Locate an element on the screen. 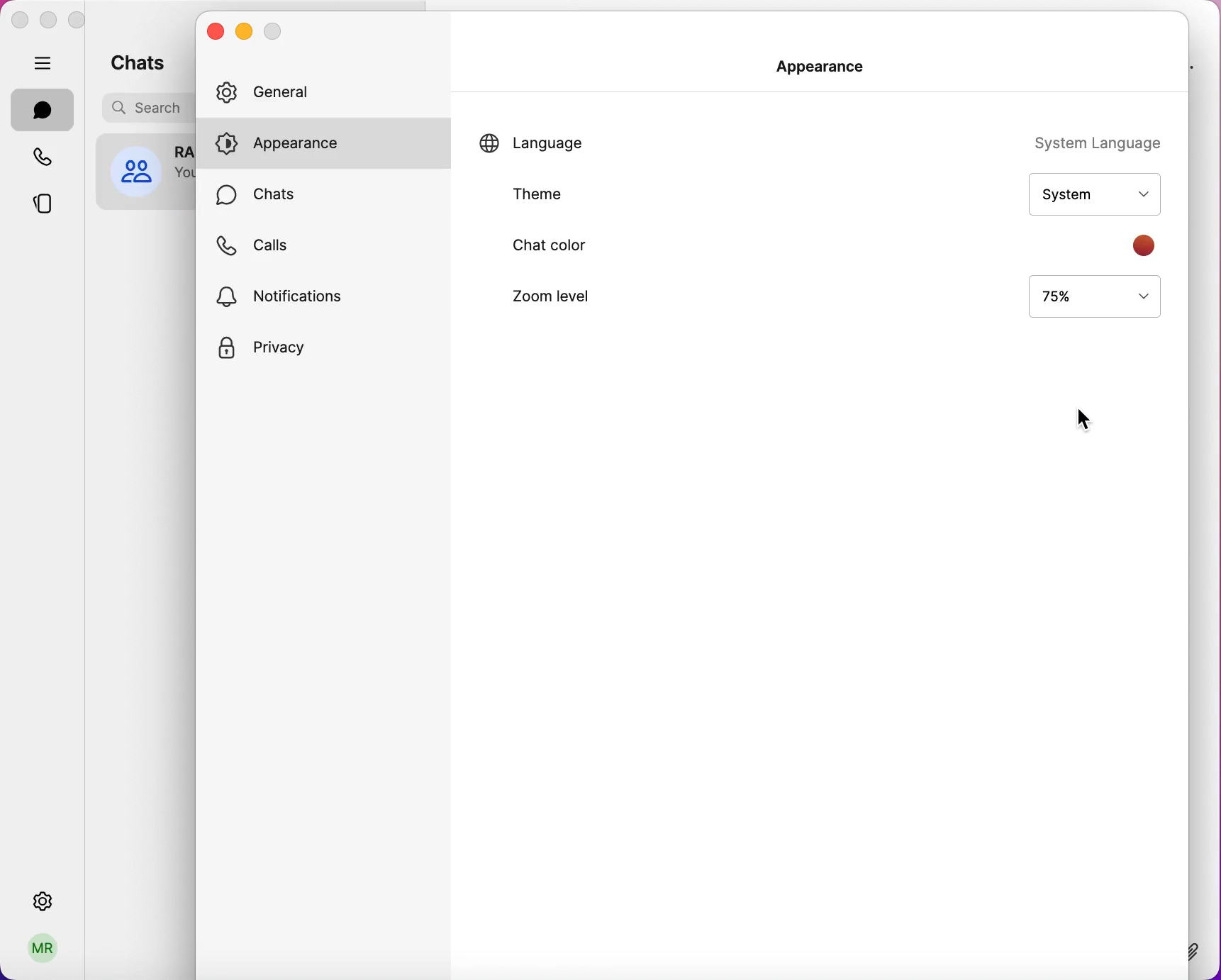 The height and width of the screenshot is (980, 1221). chats is located at coordinates (43, 109).